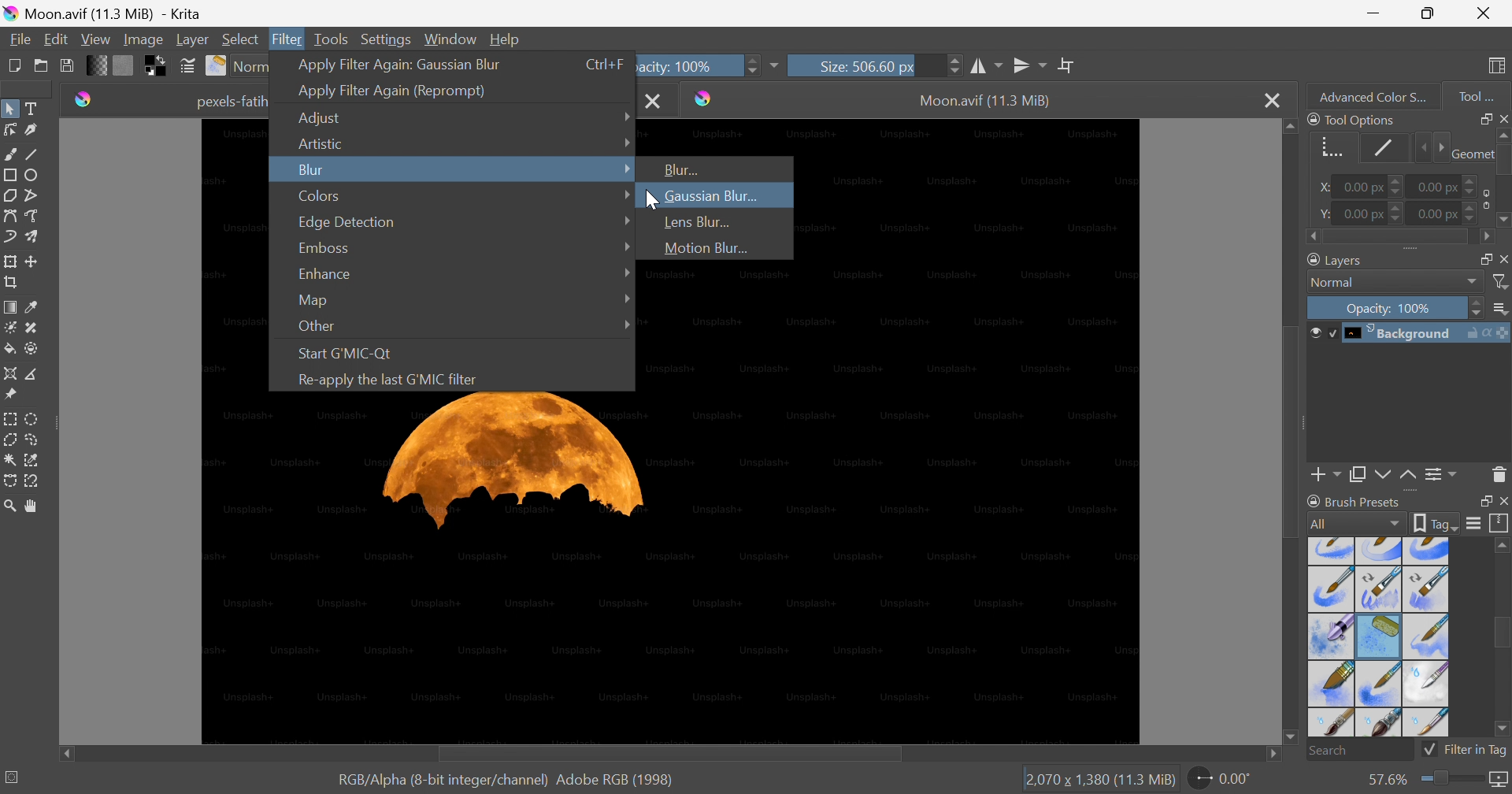 Image resolution: width=1512 pixels, height=794 pixels. What do you see at coordinates (676, 169) in the screenshot?
I see `Blur...` at bounding box center [676, 169].